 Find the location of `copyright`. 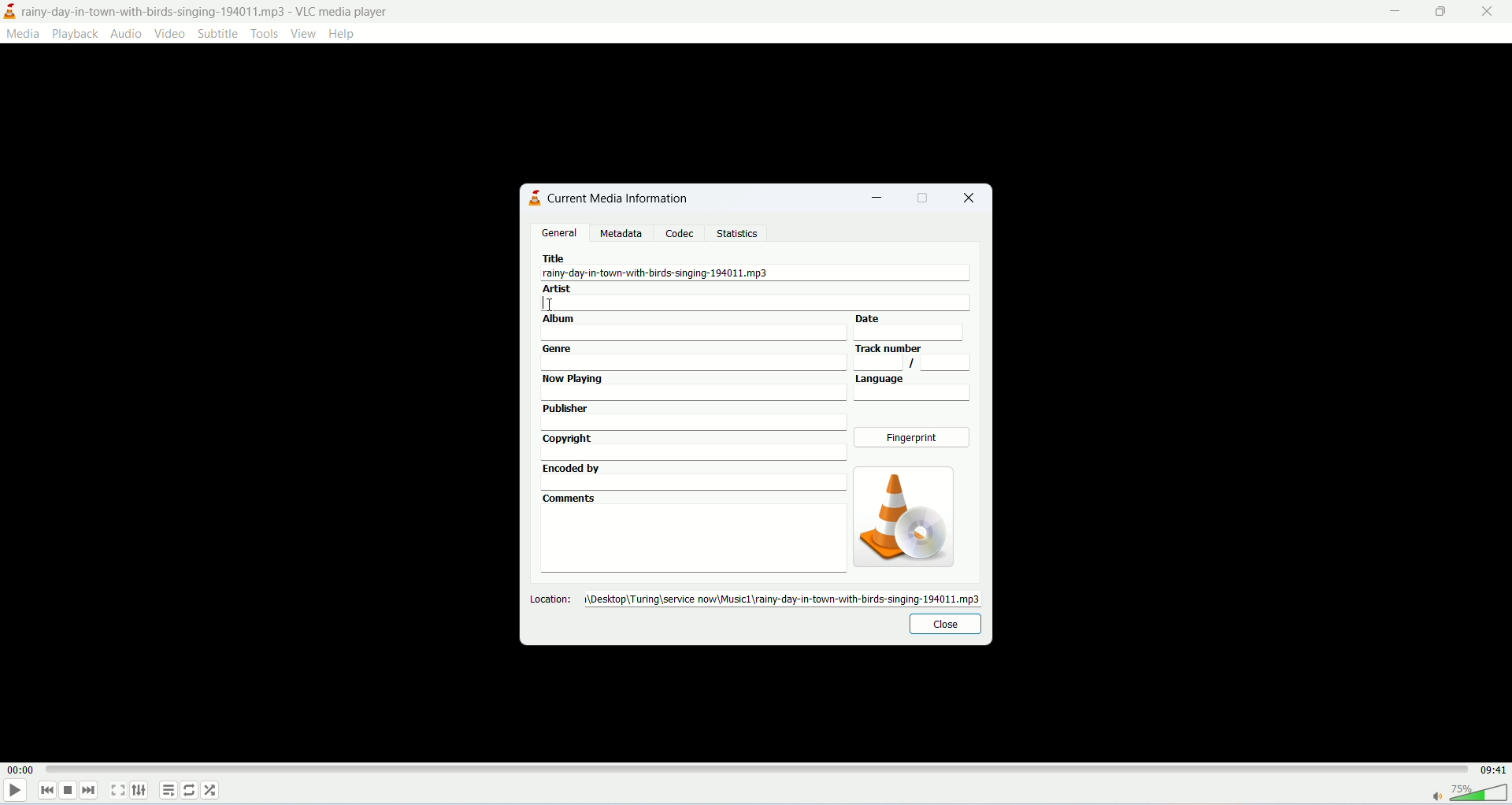

copyright is located at coordinates (694, 447).